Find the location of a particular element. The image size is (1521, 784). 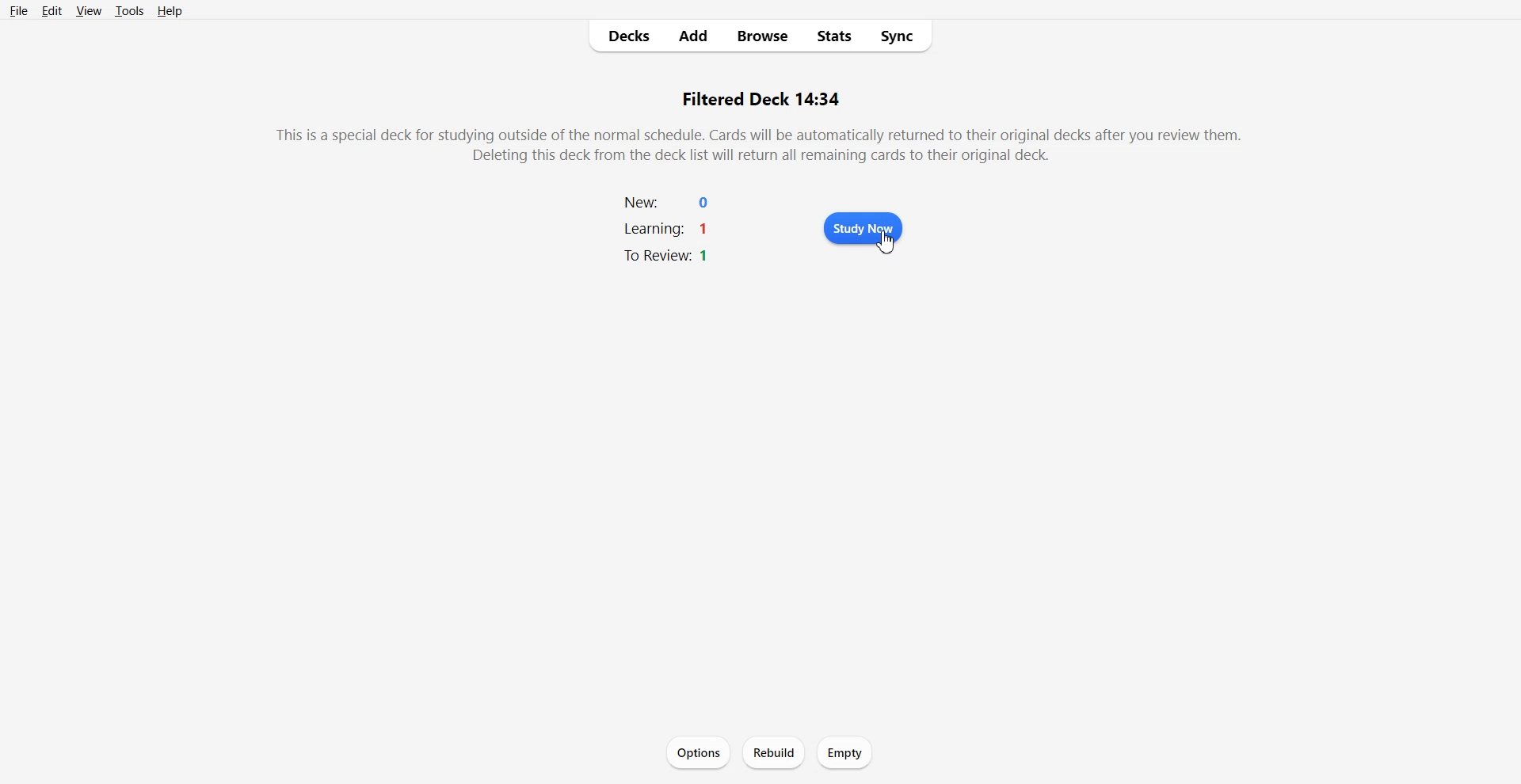

learning: 1 is located at coordinates (668, 228).